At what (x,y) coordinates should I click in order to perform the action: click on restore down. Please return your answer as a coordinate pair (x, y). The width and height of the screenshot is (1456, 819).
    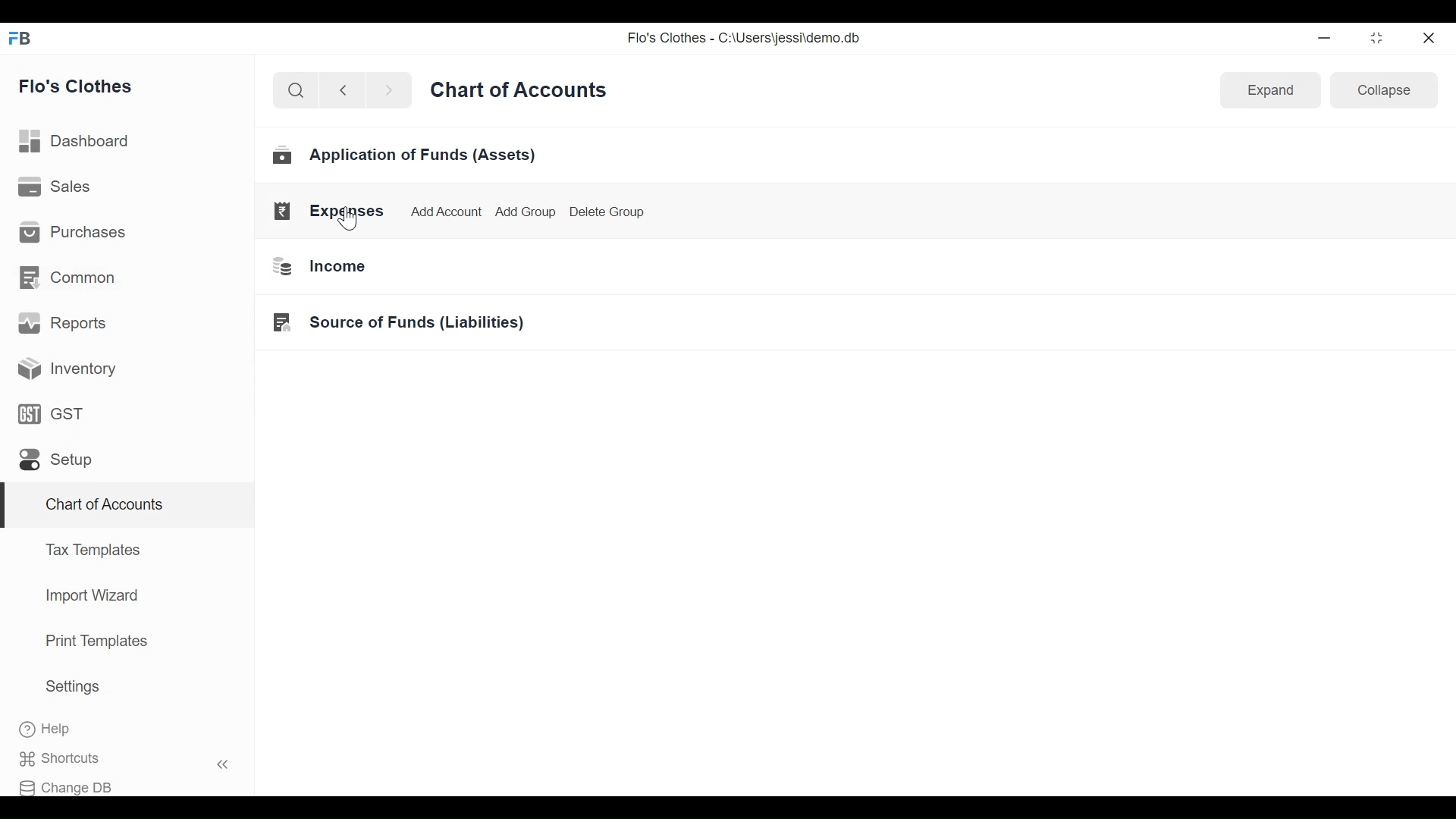
    Looking at the image, I should click on (1375, 39).